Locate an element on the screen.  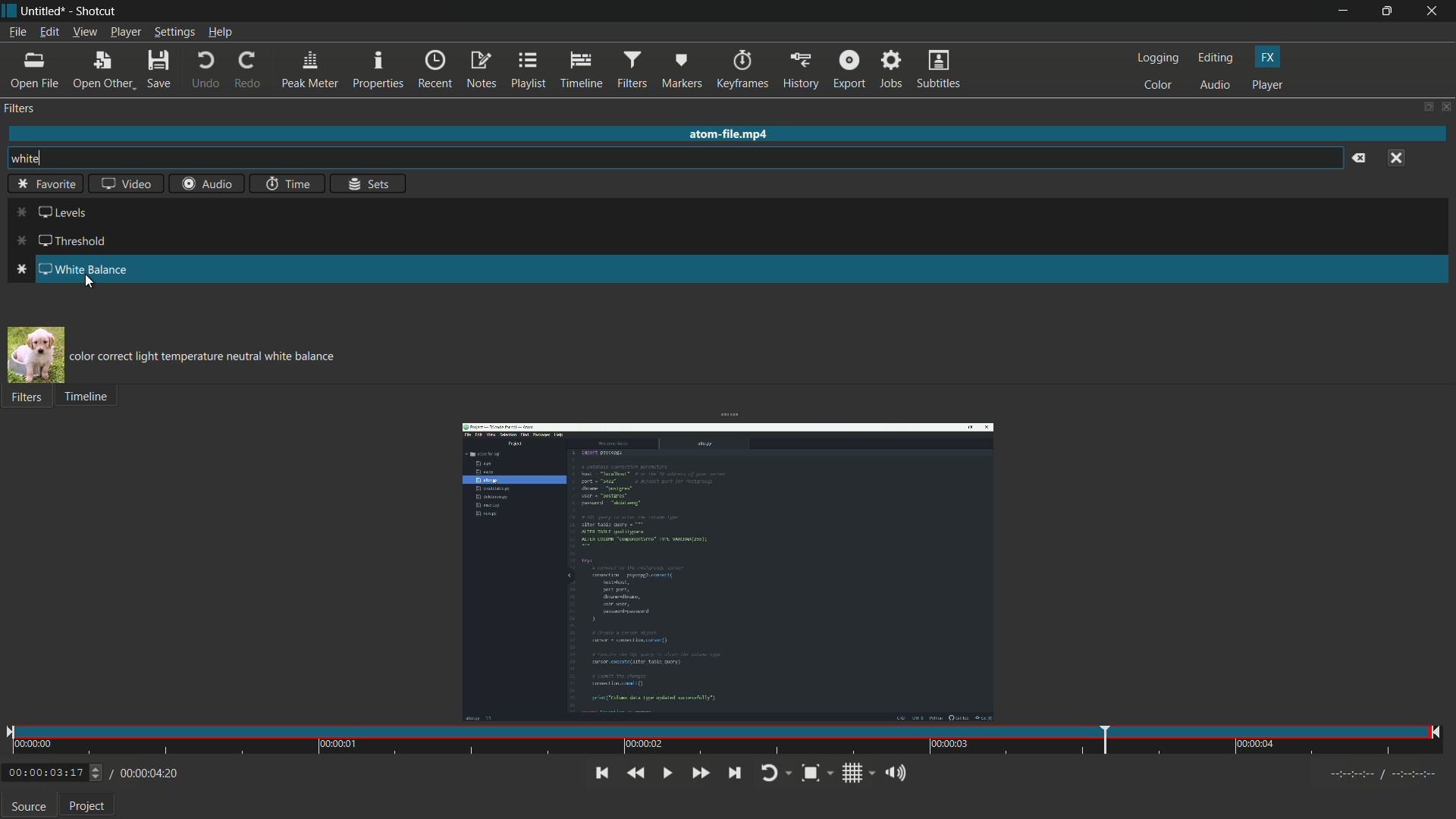
save is located at coordinates (158, 67).